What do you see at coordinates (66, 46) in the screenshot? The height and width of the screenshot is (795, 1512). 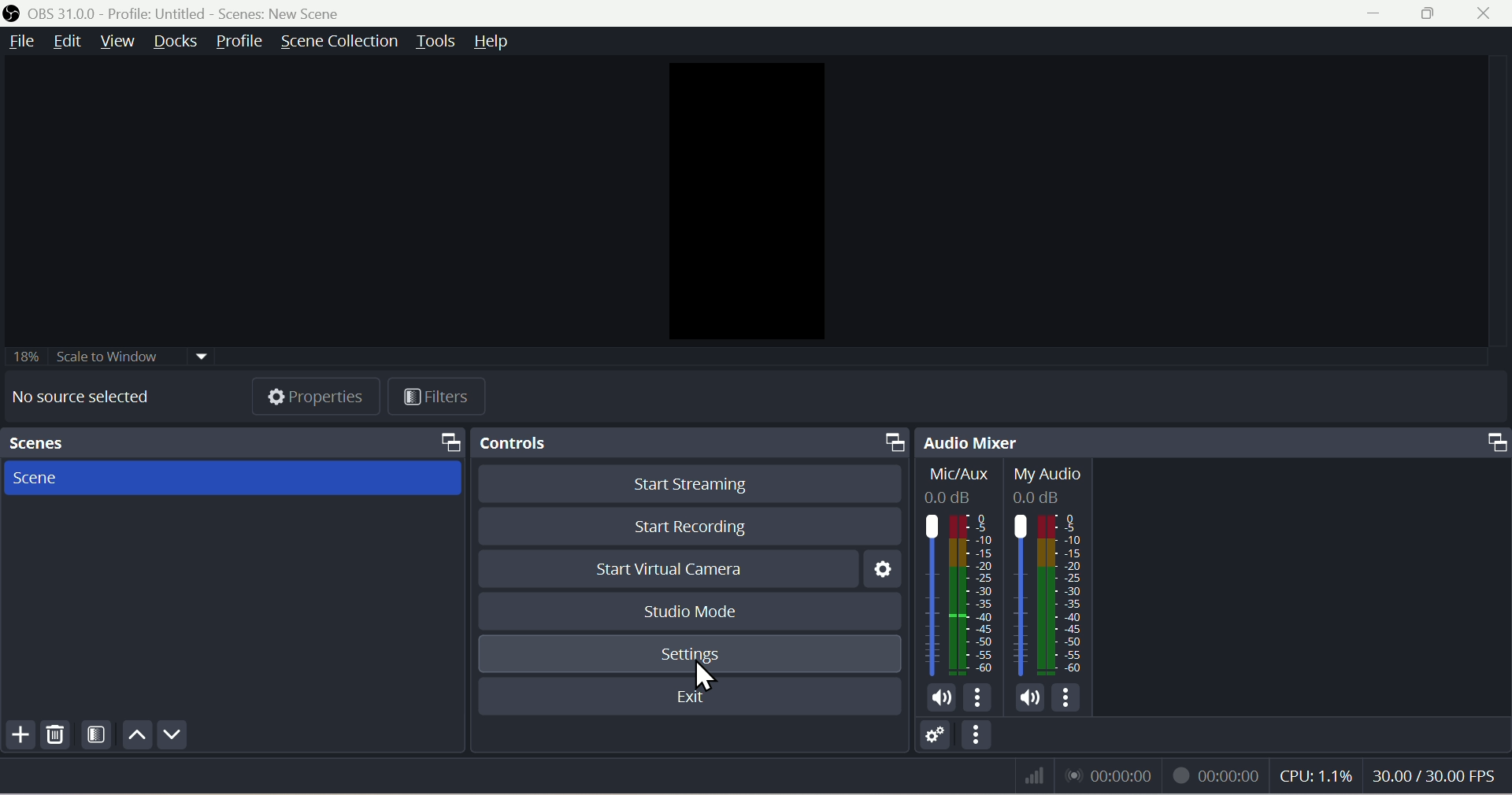 I see `Edit` at bounding box center [66, 46].